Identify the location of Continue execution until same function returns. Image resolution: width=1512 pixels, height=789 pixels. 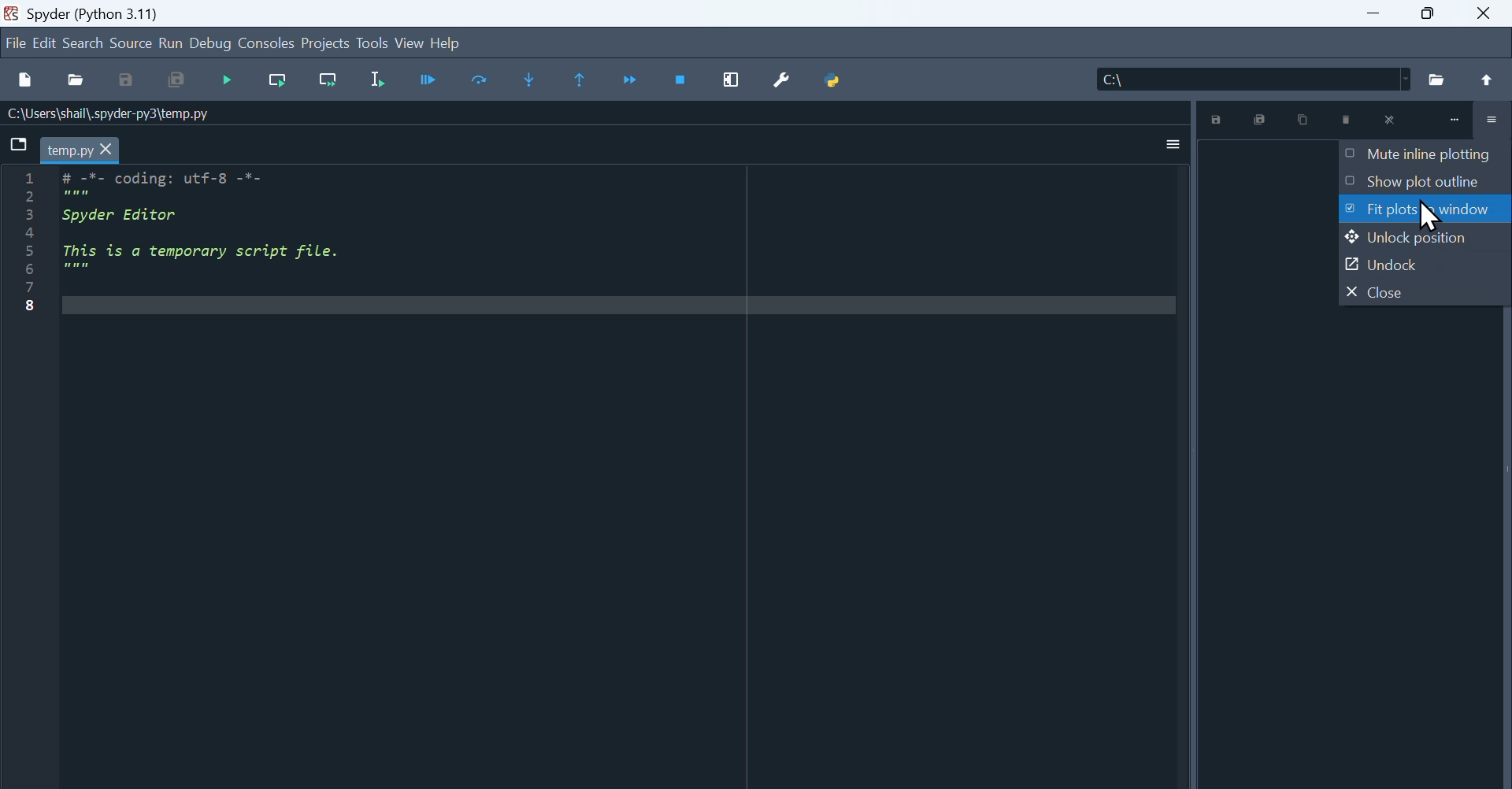
(632, 79).